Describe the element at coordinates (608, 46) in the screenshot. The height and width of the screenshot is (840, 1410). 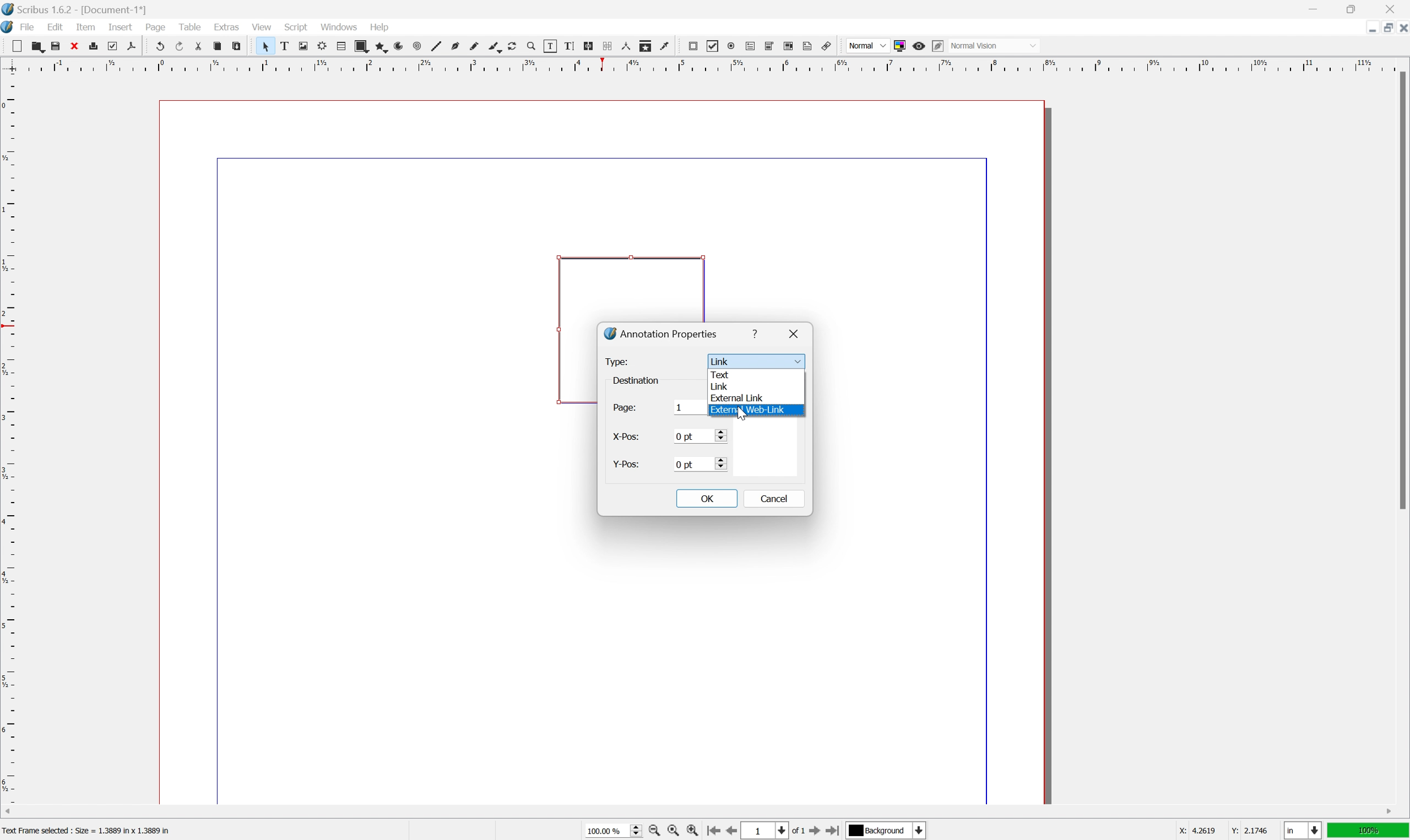
I see `unlink text frames` at that location.